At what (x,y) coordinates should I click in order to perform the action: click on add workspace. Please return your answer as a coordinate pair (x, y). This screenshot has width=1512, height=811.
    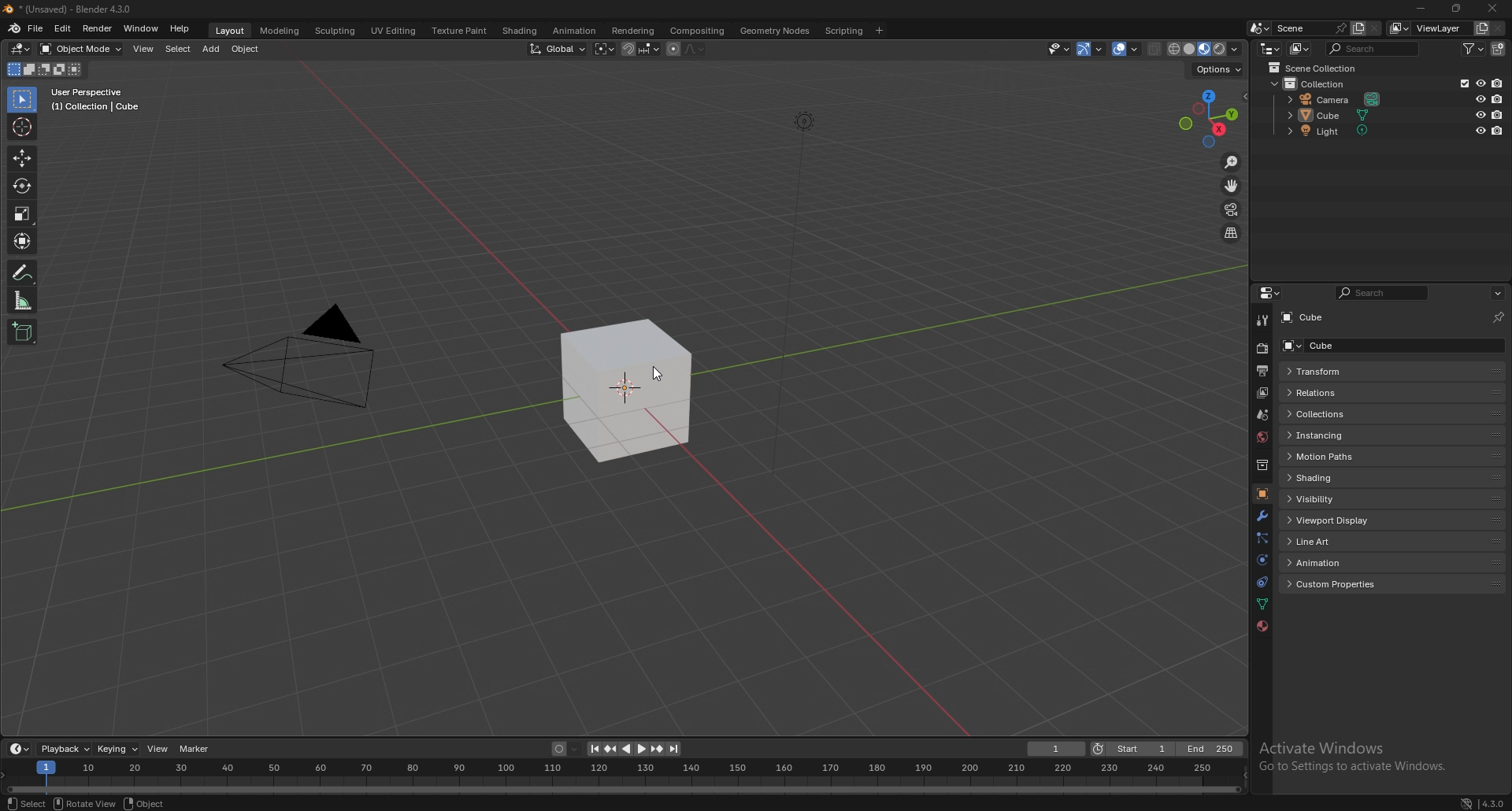
    Looking at the image, I should click on (879, 31).